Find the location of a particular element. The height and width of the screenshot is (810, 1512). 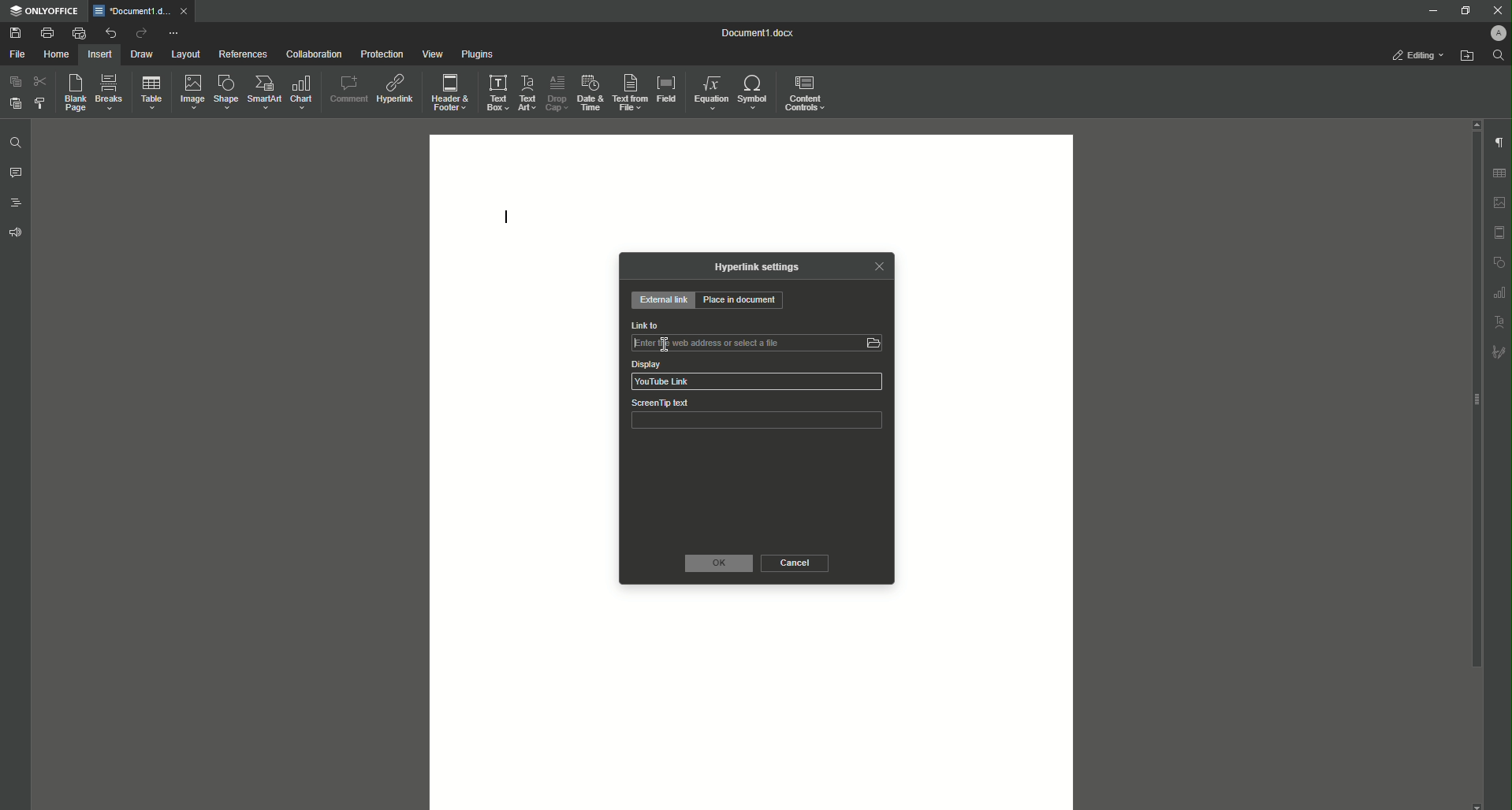

Hyperlink Settings is located at coordinates (753, 271).